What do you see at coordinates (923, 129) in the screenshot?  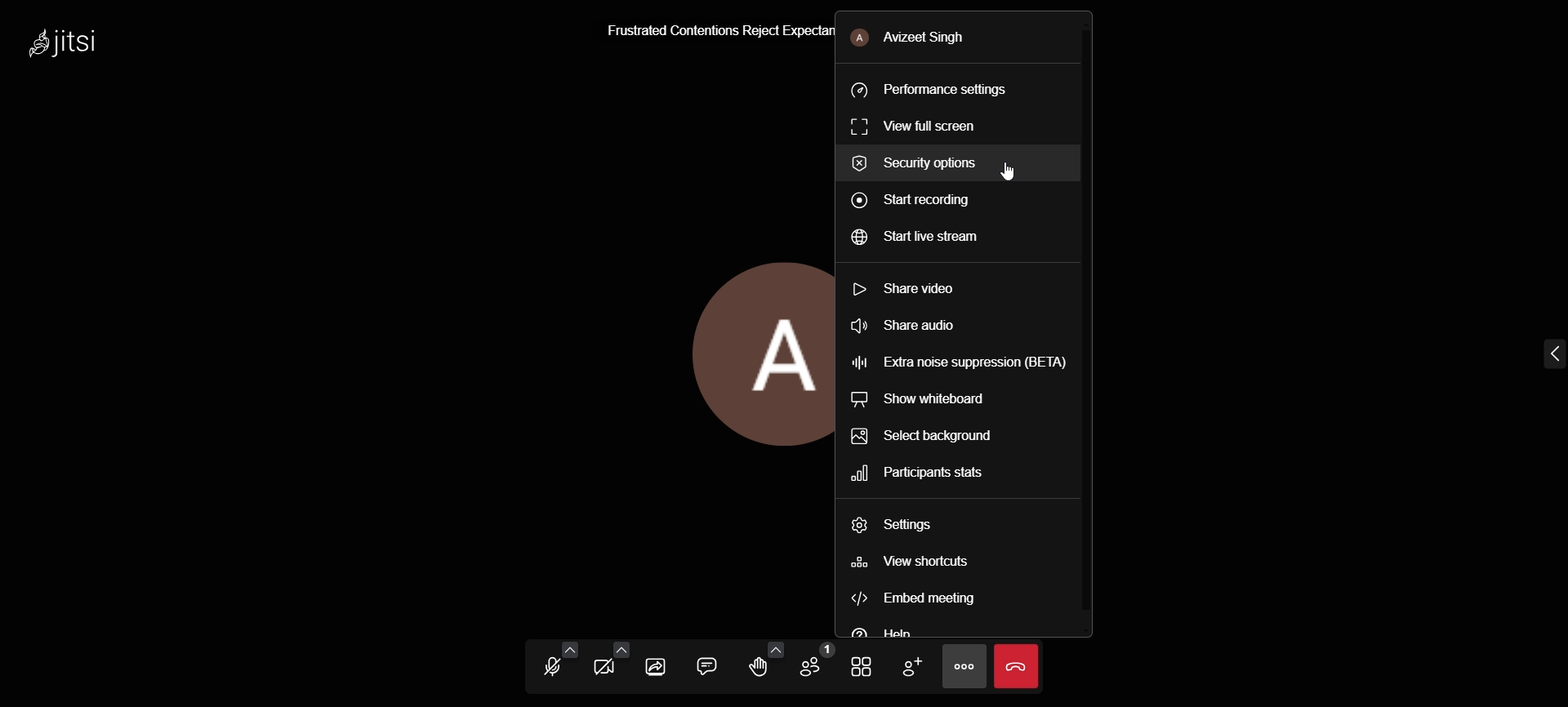 I see `view full screen` at bounding box center [923, 129].